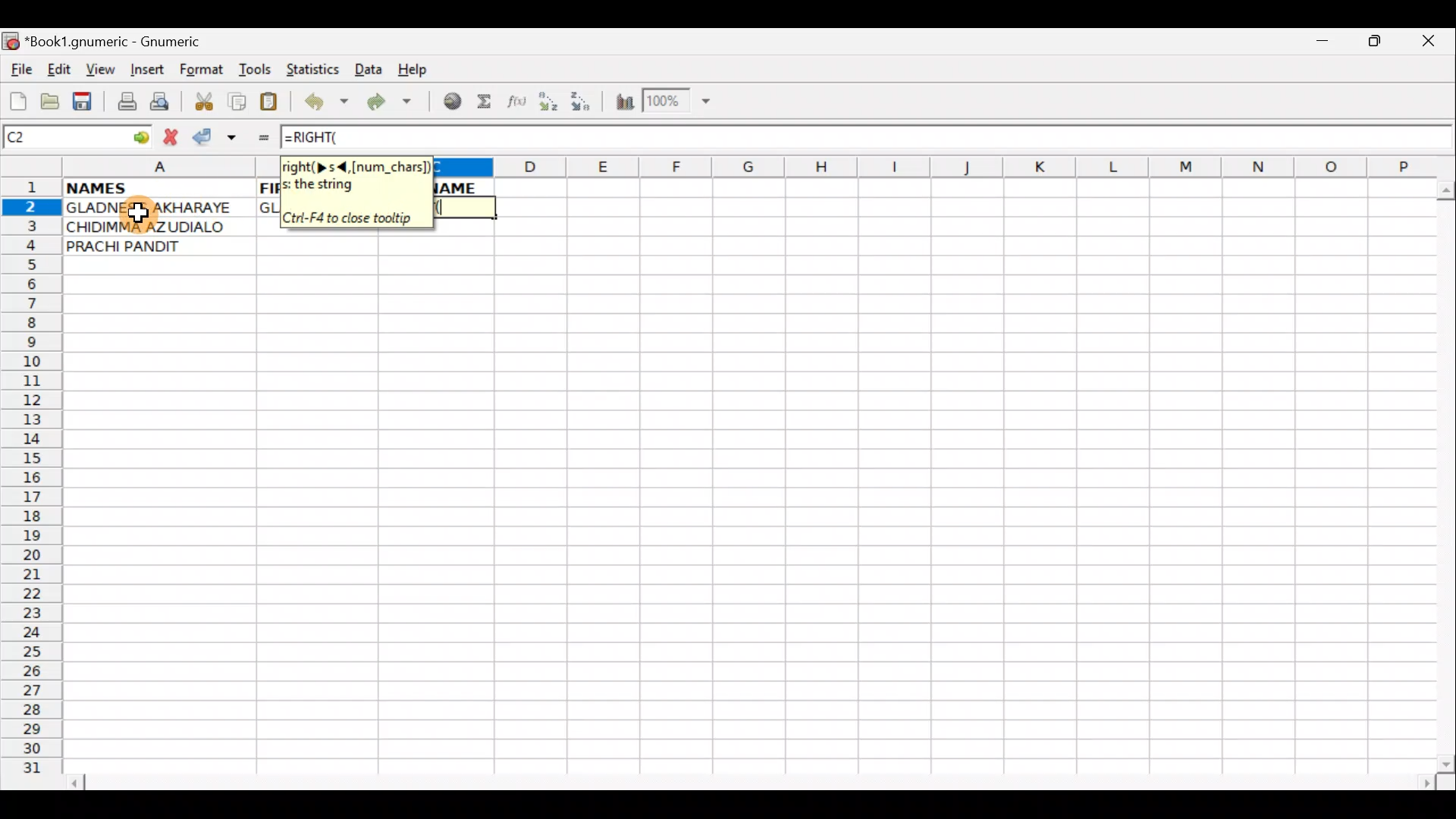  Describe the element at coordinates (393, 104) in the screenshot. I see `Redo undone action` at that location.